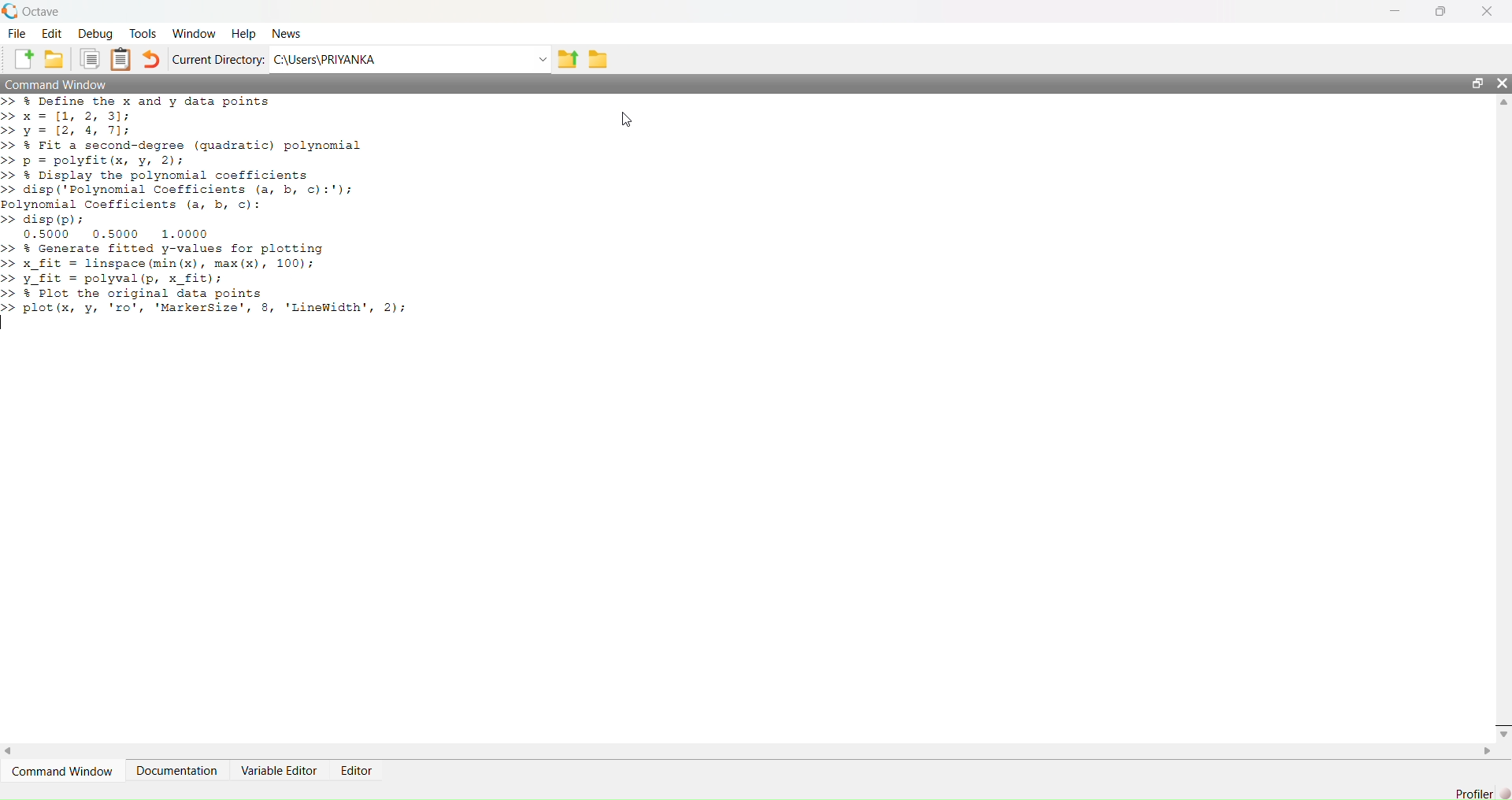 Image resolution: width=1512 pixels, height=800 pixels. What do you see at coordinates (17, 35) in the screenshot?
I see `File` at bounding box center [17, 35].